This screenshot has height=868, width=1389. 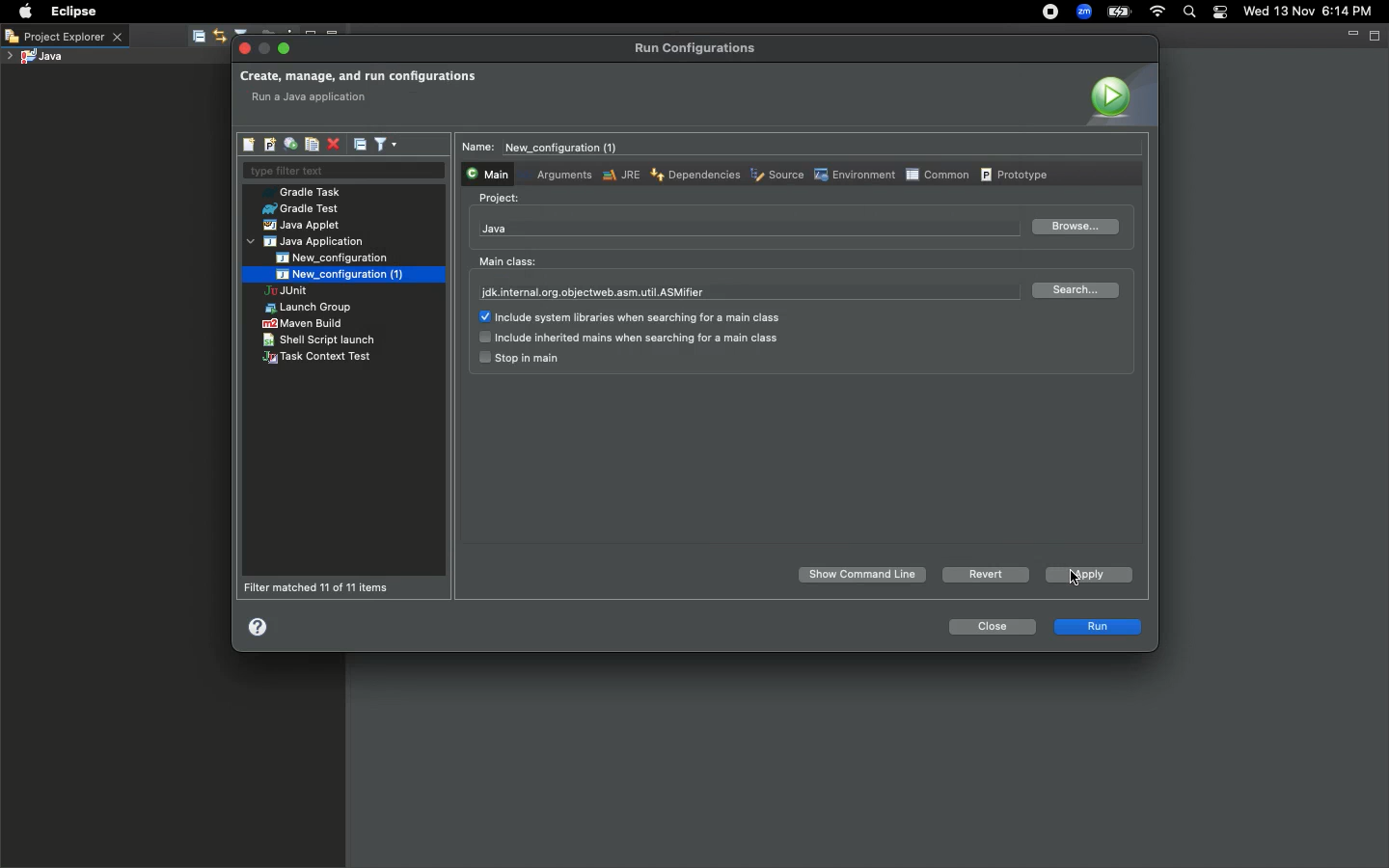 I want to click on New launch configuration, so click(x=250, y=145).